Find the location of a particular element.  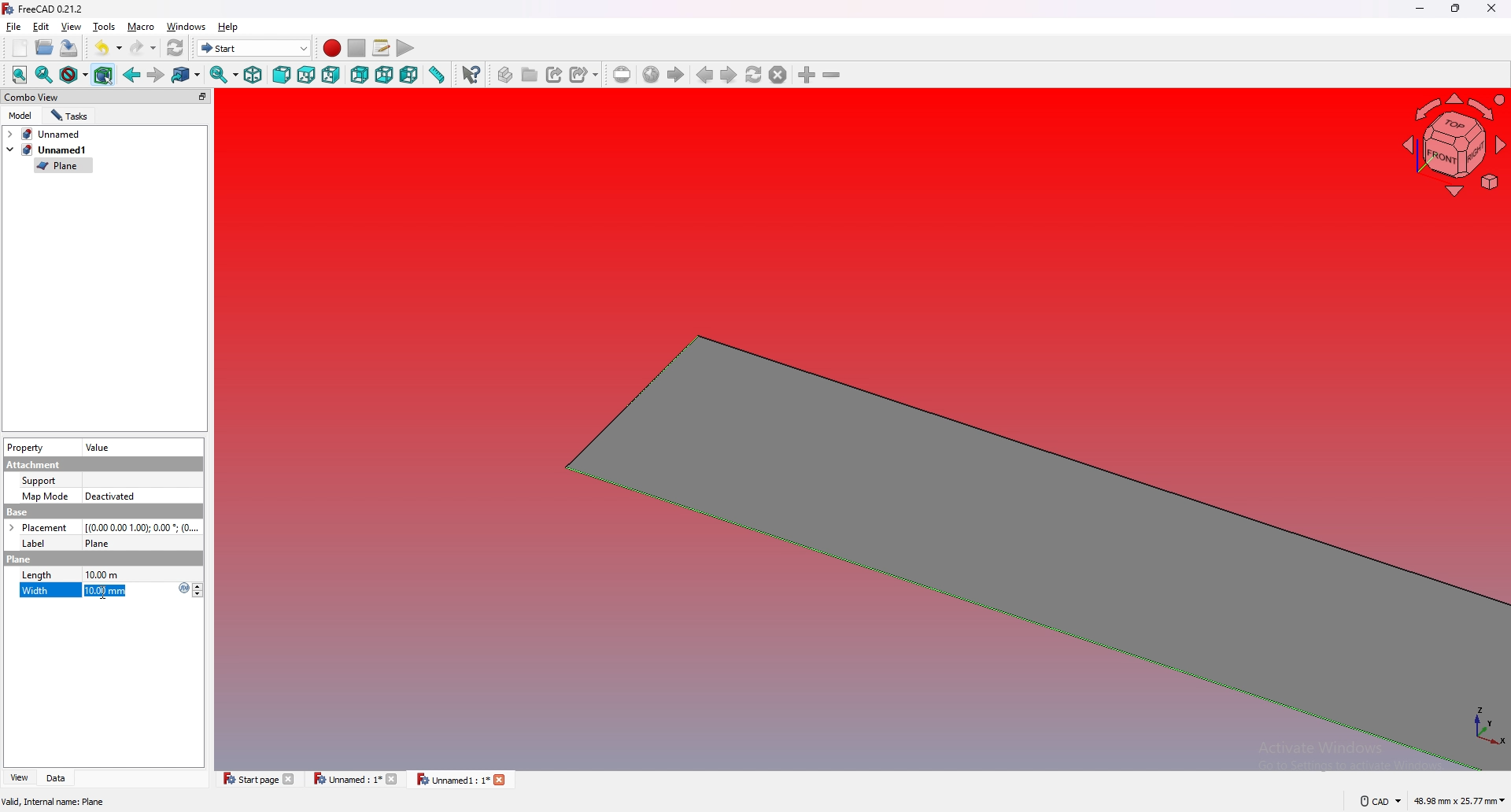

create sub link is located at coordinates (585, 75).